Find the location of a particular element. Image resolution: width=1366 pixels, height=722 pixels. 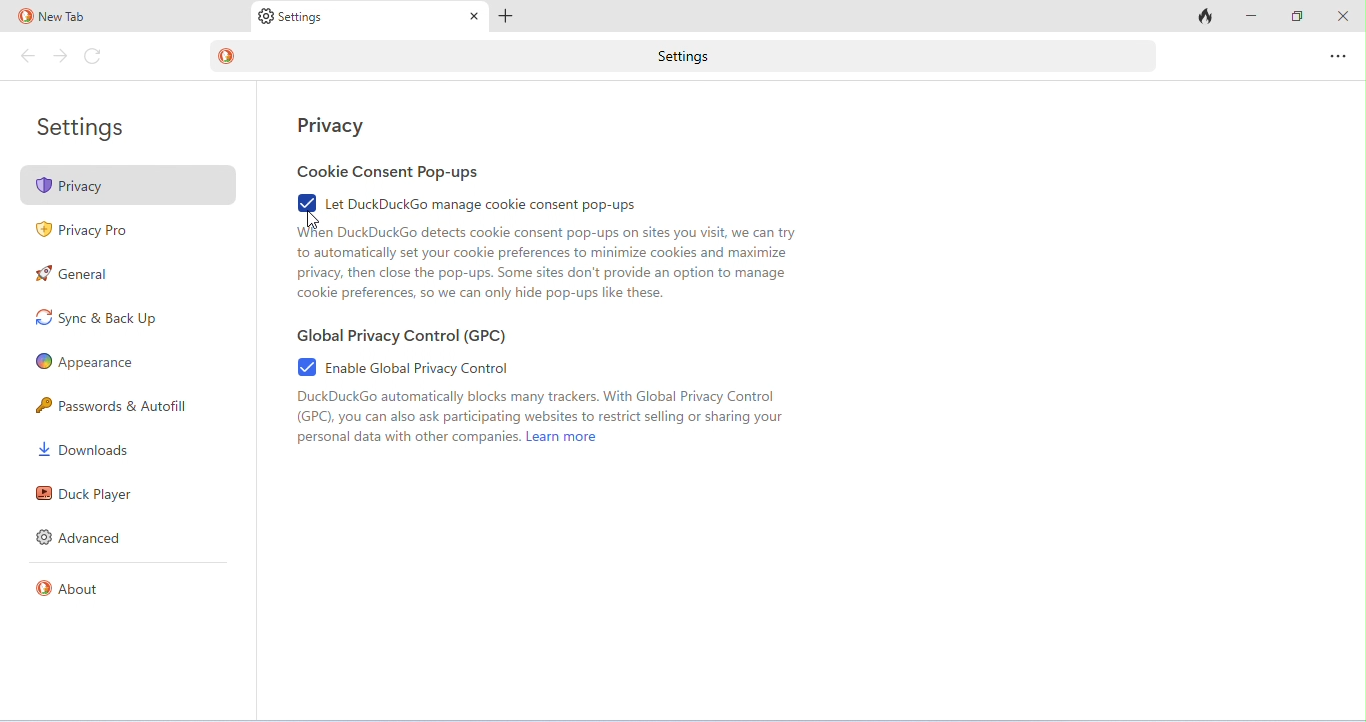

Duckduckgo automatically blocks many trackers. Global privacy control you can also ask participating websites to restrict selling or sharing your is located at coordinates (543, 408).